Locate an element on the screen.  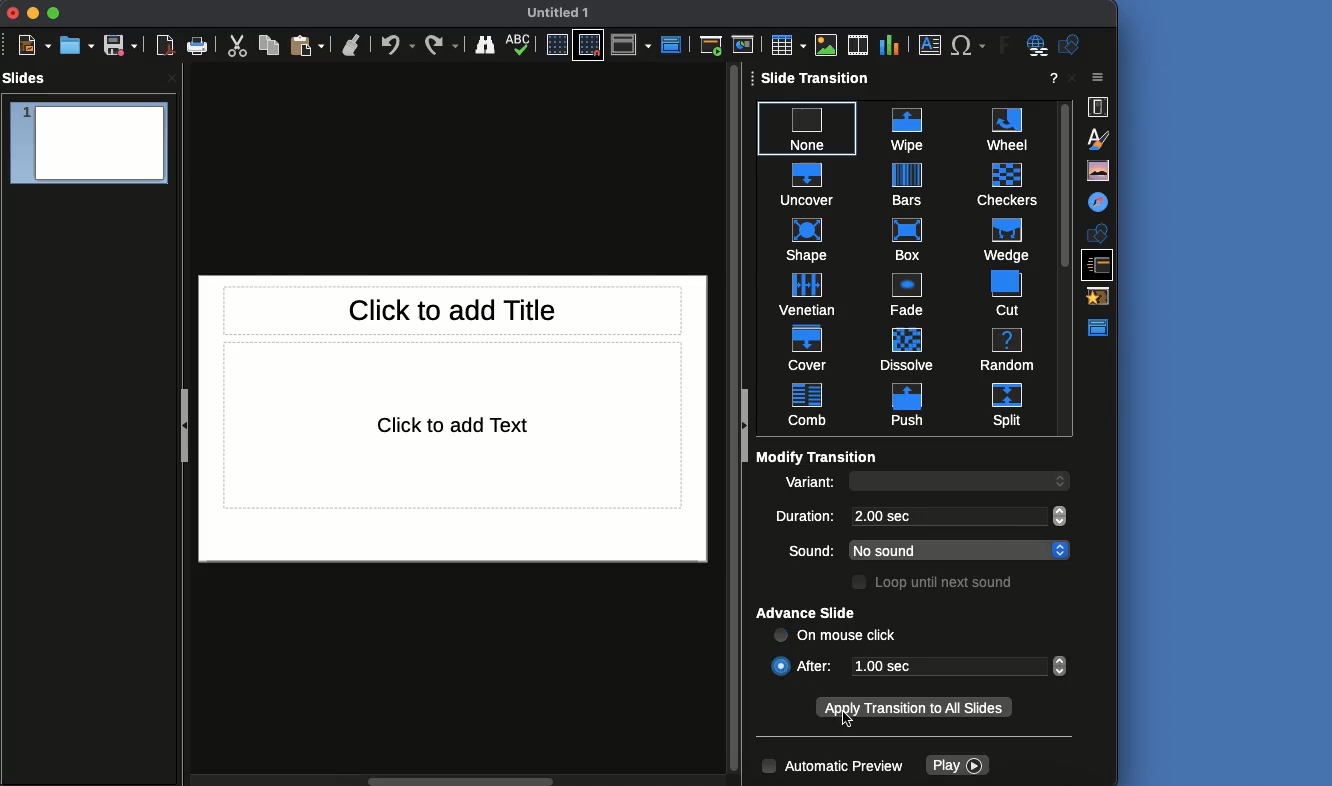
comb is located at coordinates (808, 405).